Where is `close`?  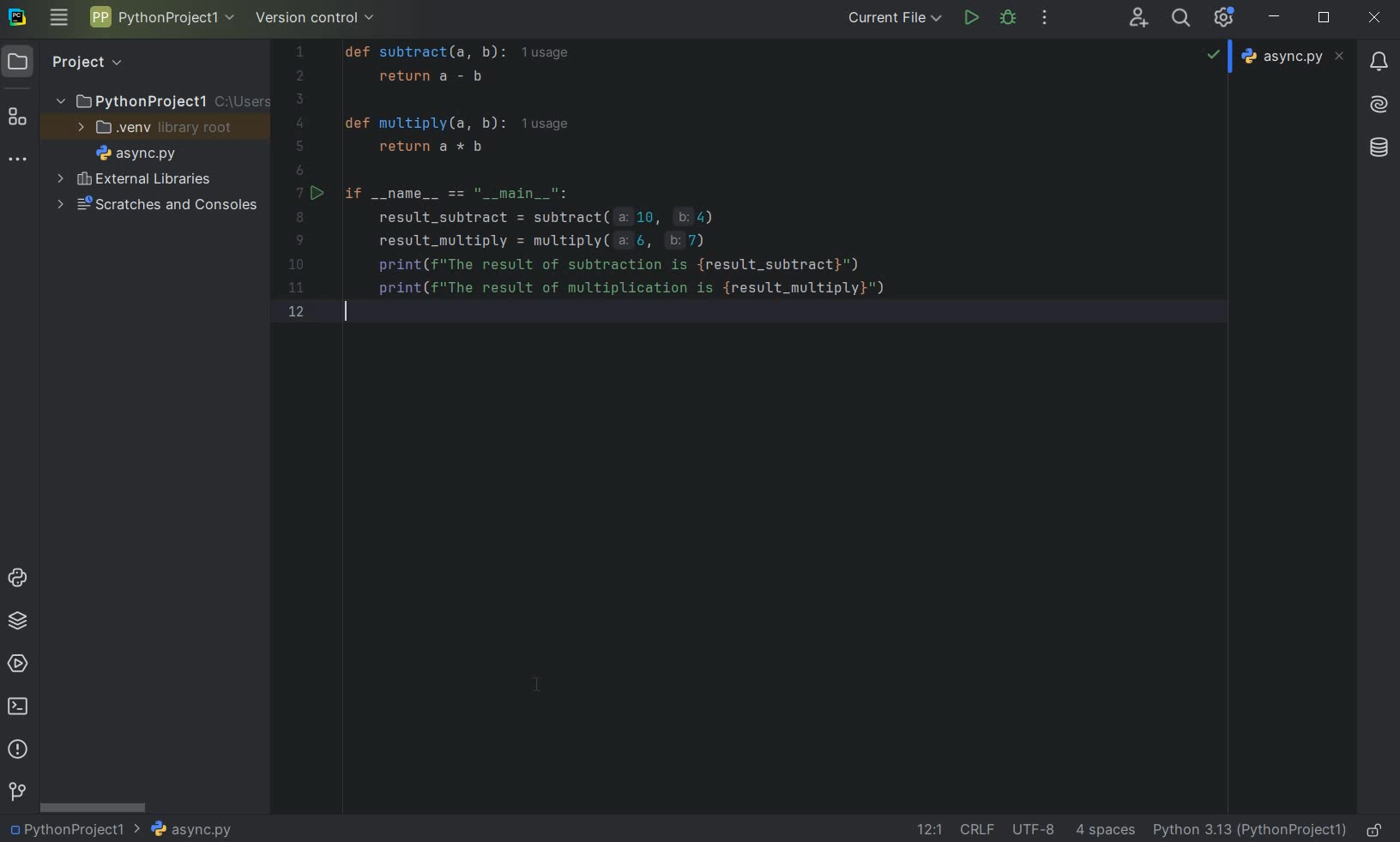 close is located at coordinates (1375, 17).